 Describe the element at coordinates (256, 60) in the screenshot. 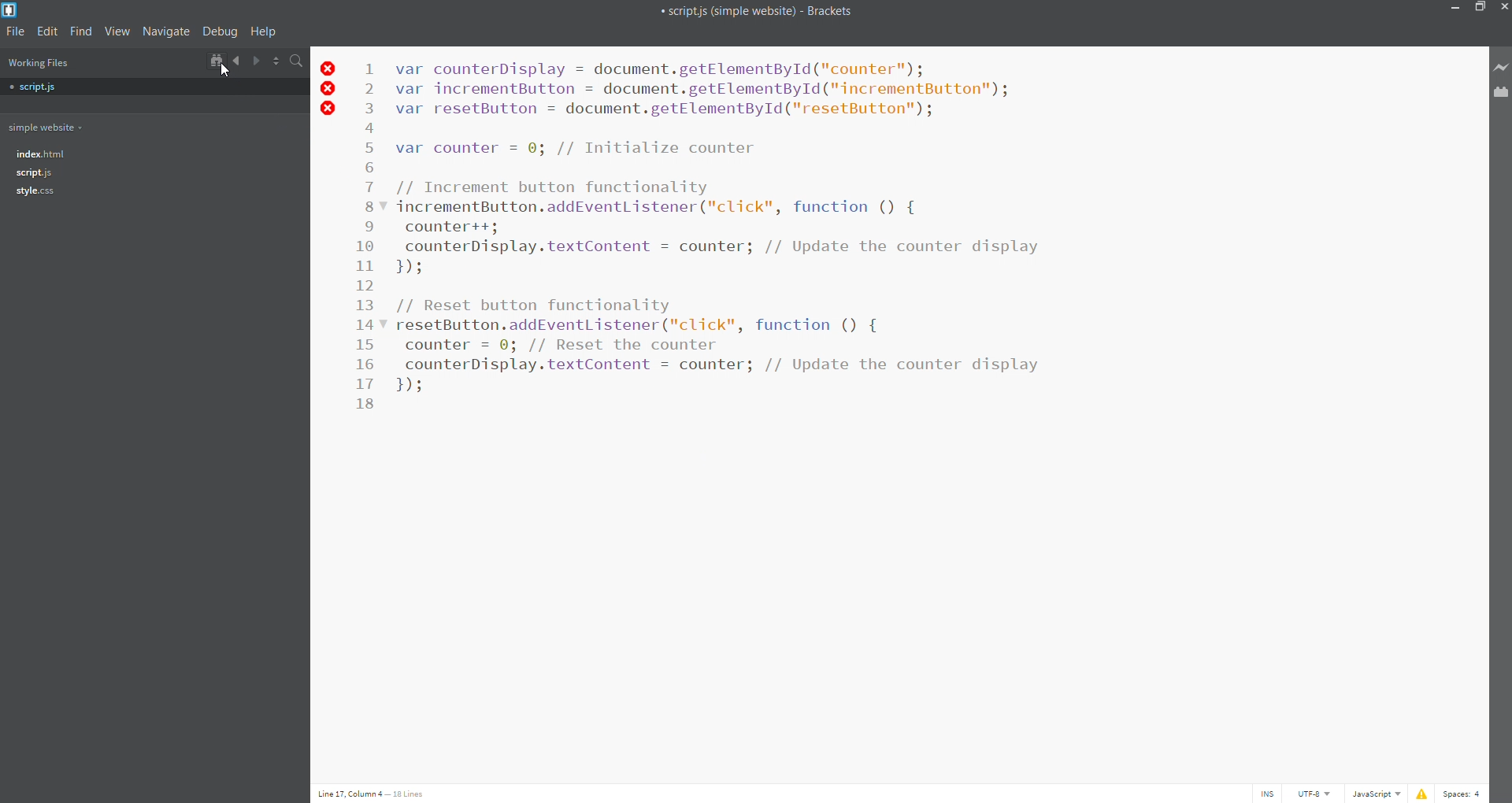

I see `navigate forward` at that location.